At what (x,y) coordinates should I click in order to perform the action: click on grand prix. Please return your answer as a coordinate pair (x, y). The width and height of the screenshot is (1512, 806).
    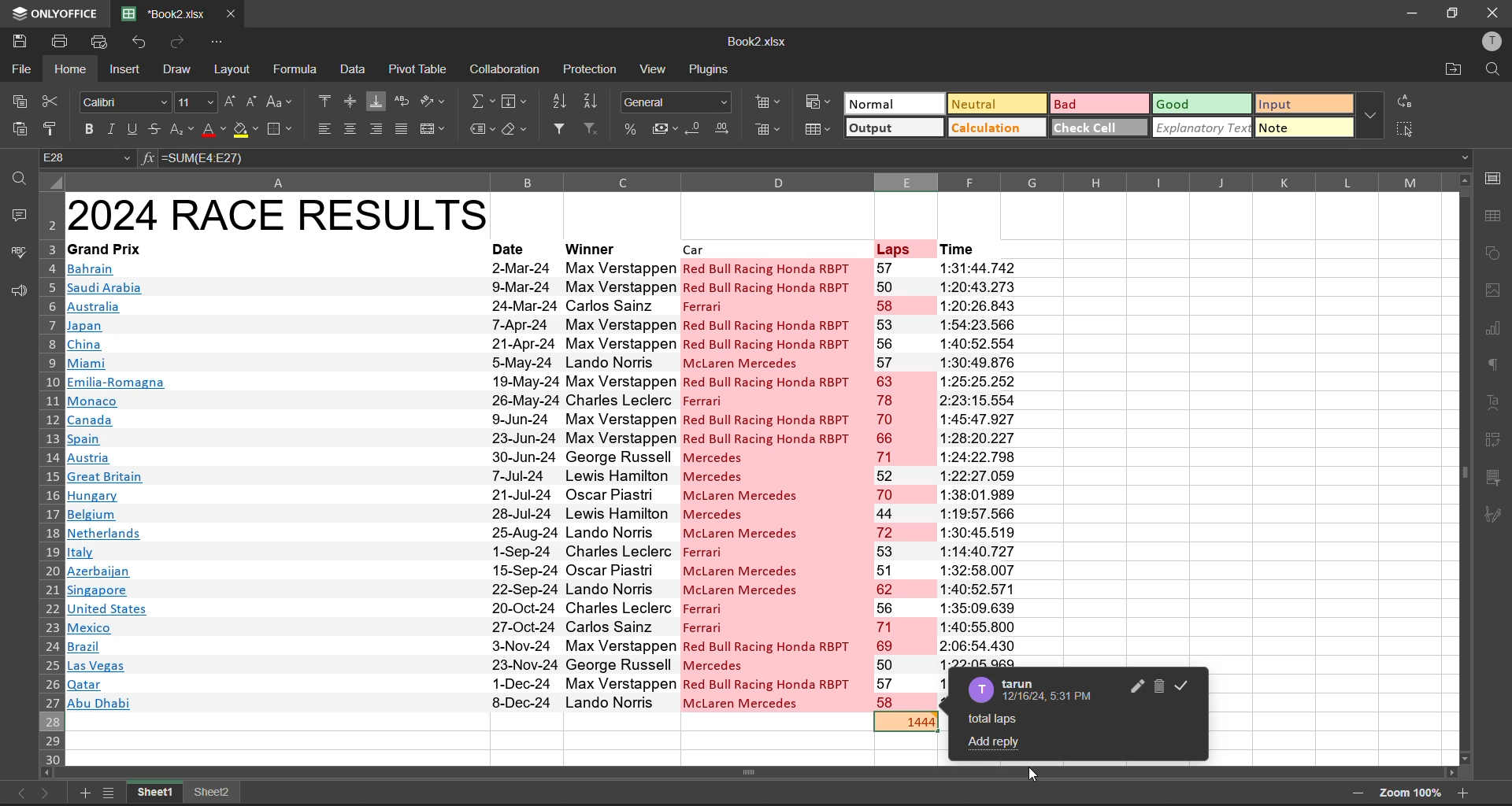
    Looking at the image, I should click on (106, 248).